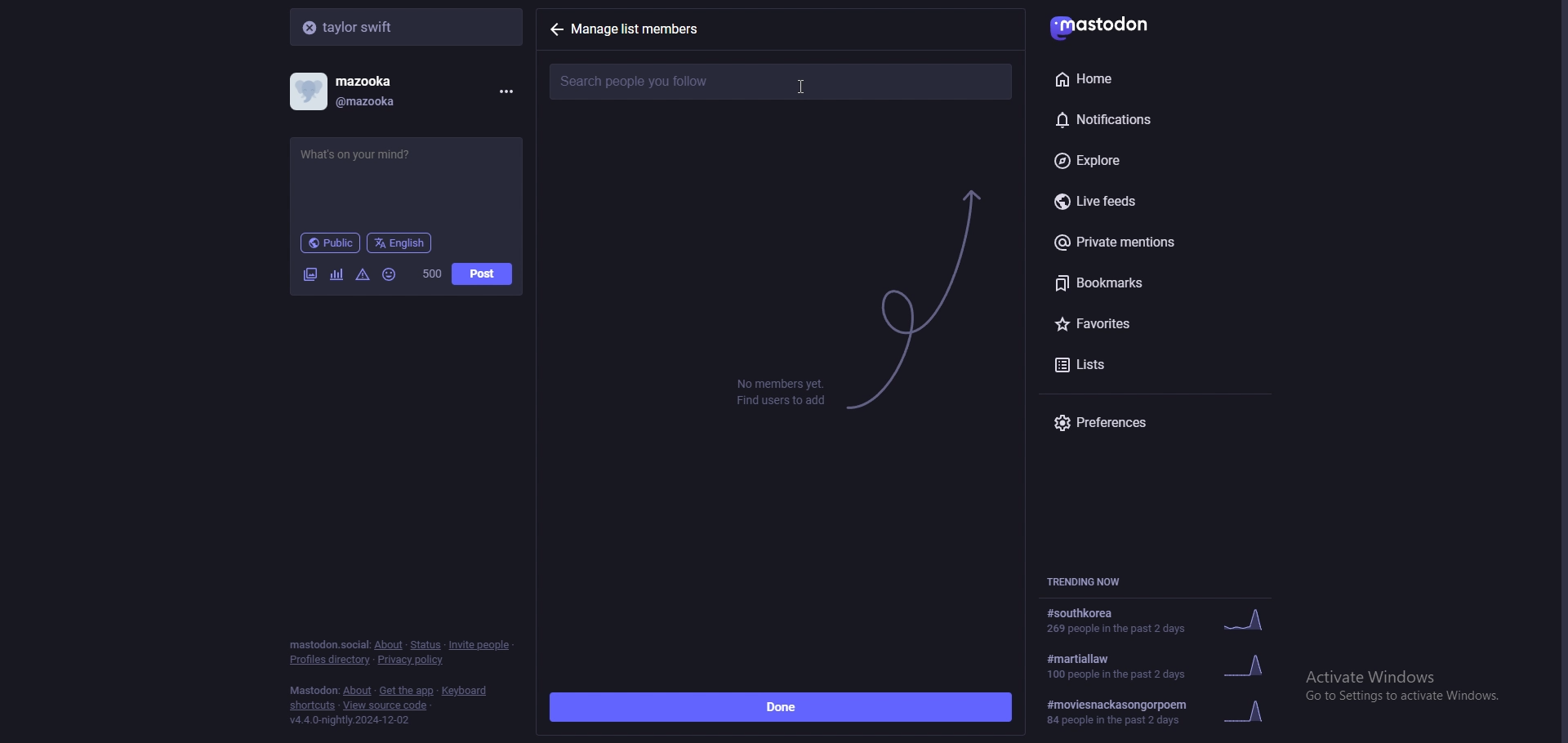  Describe the element at coordinates (781, 708) in the screenshot. I see `done` at that location.